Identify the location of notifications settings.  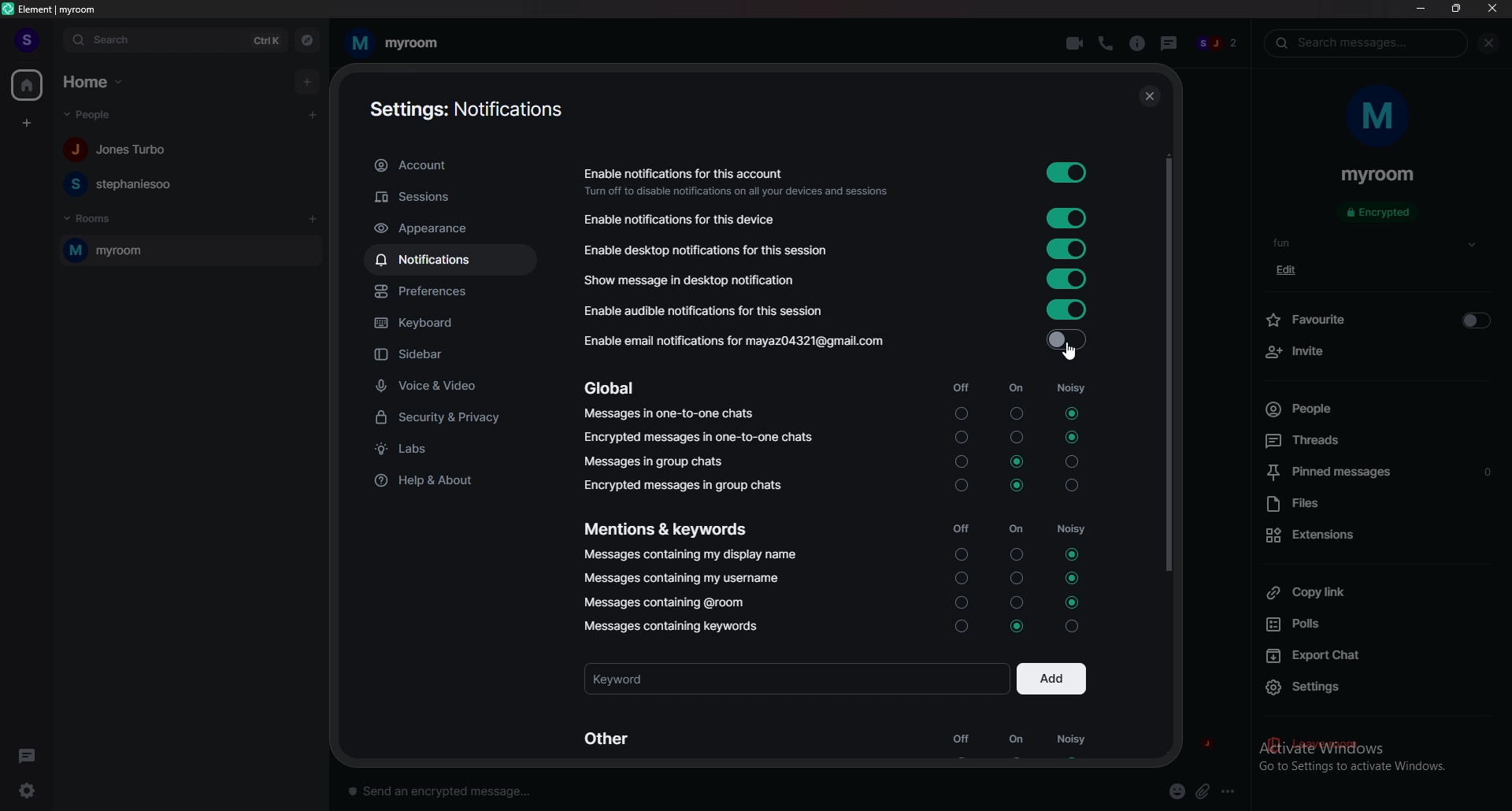
(469, 108).